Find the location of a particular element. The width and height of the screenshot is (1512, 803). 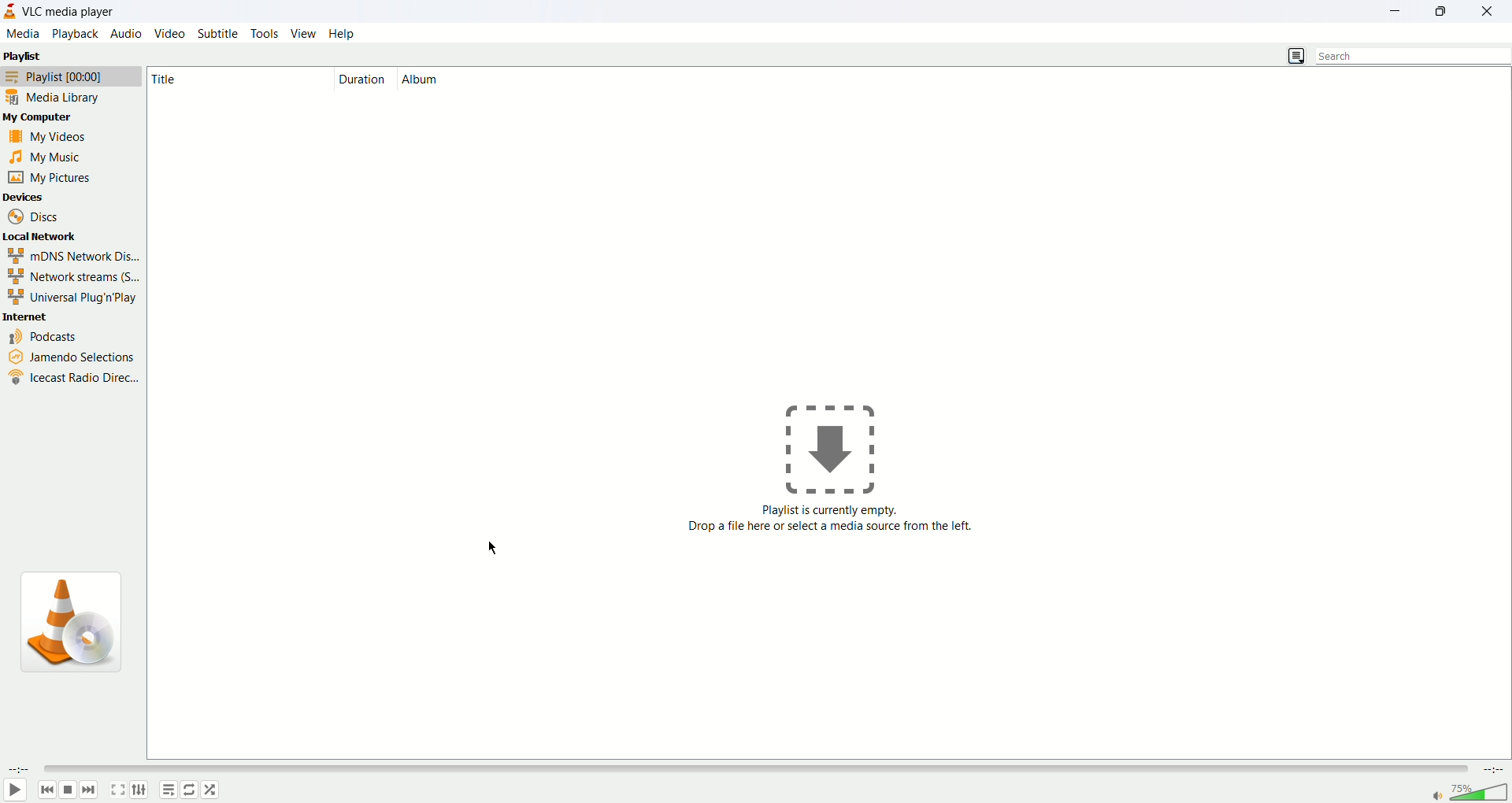

maximize is located at coordinates (1450, 13).